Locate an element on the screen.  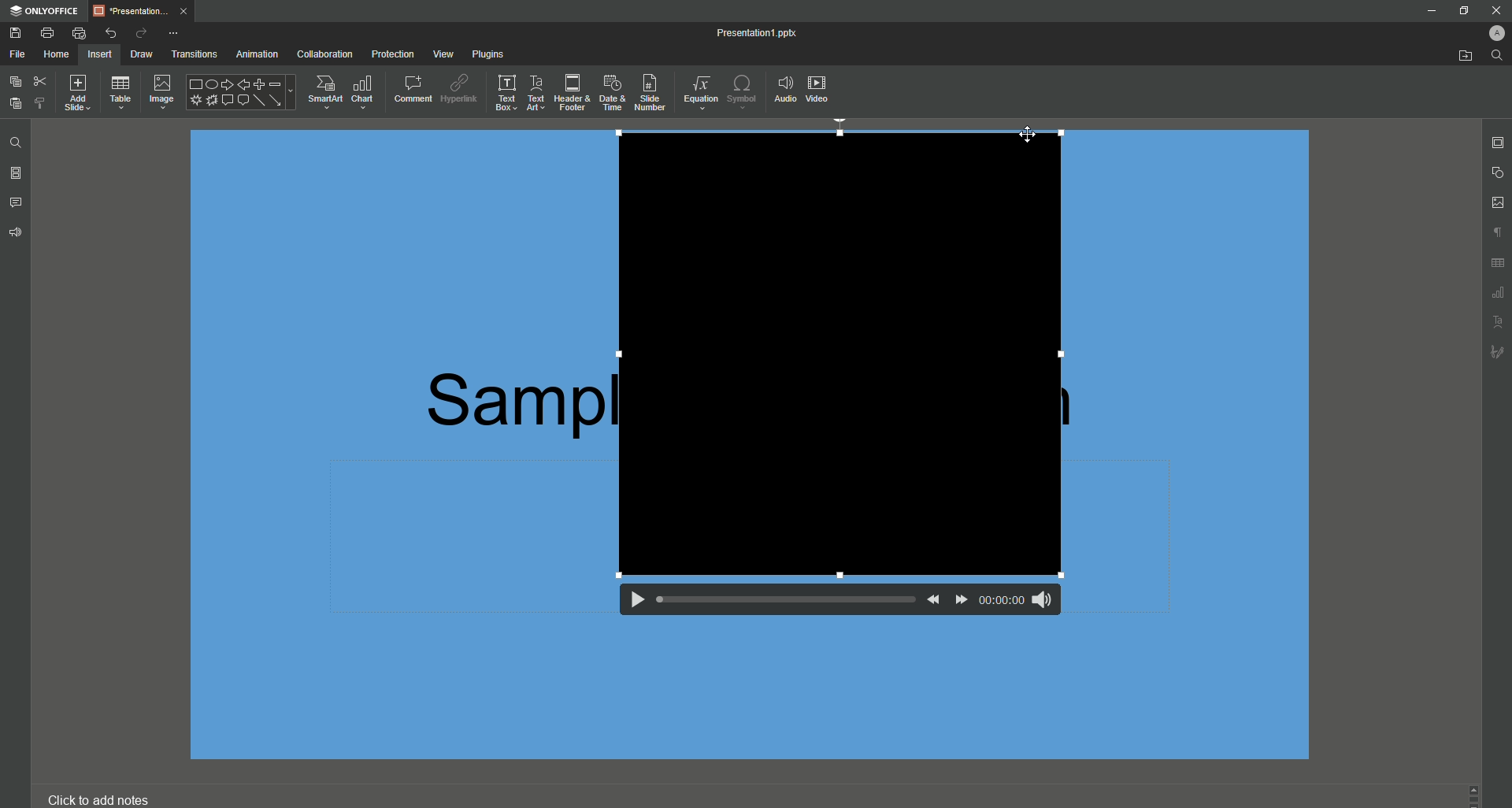
Symbol is located at coordinates (743, 91).